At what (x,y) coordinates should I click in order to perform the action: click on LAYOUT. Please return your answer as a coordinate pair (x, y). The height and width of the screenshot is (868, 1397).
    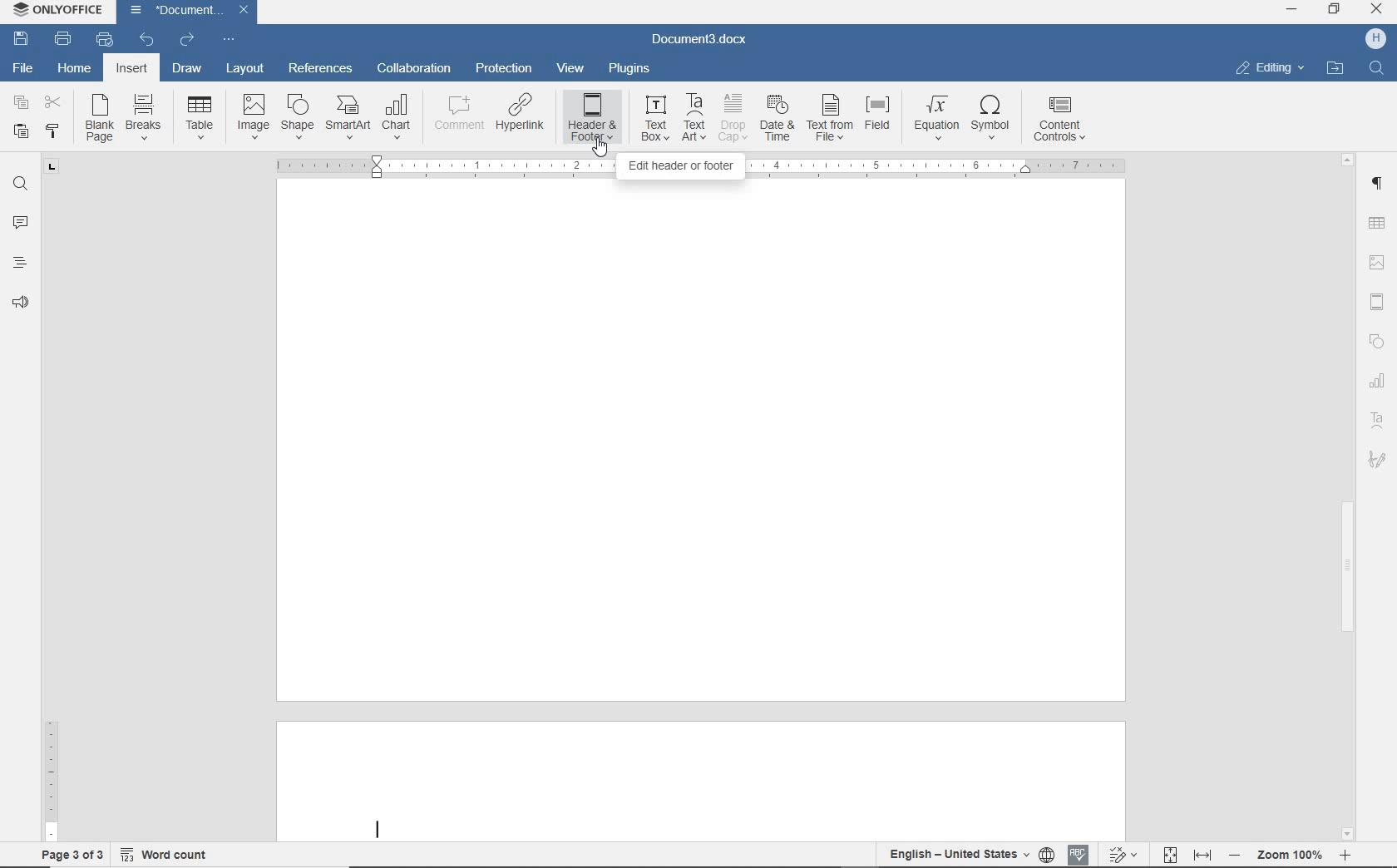
    Looking at the image, I should click on (241, 70).